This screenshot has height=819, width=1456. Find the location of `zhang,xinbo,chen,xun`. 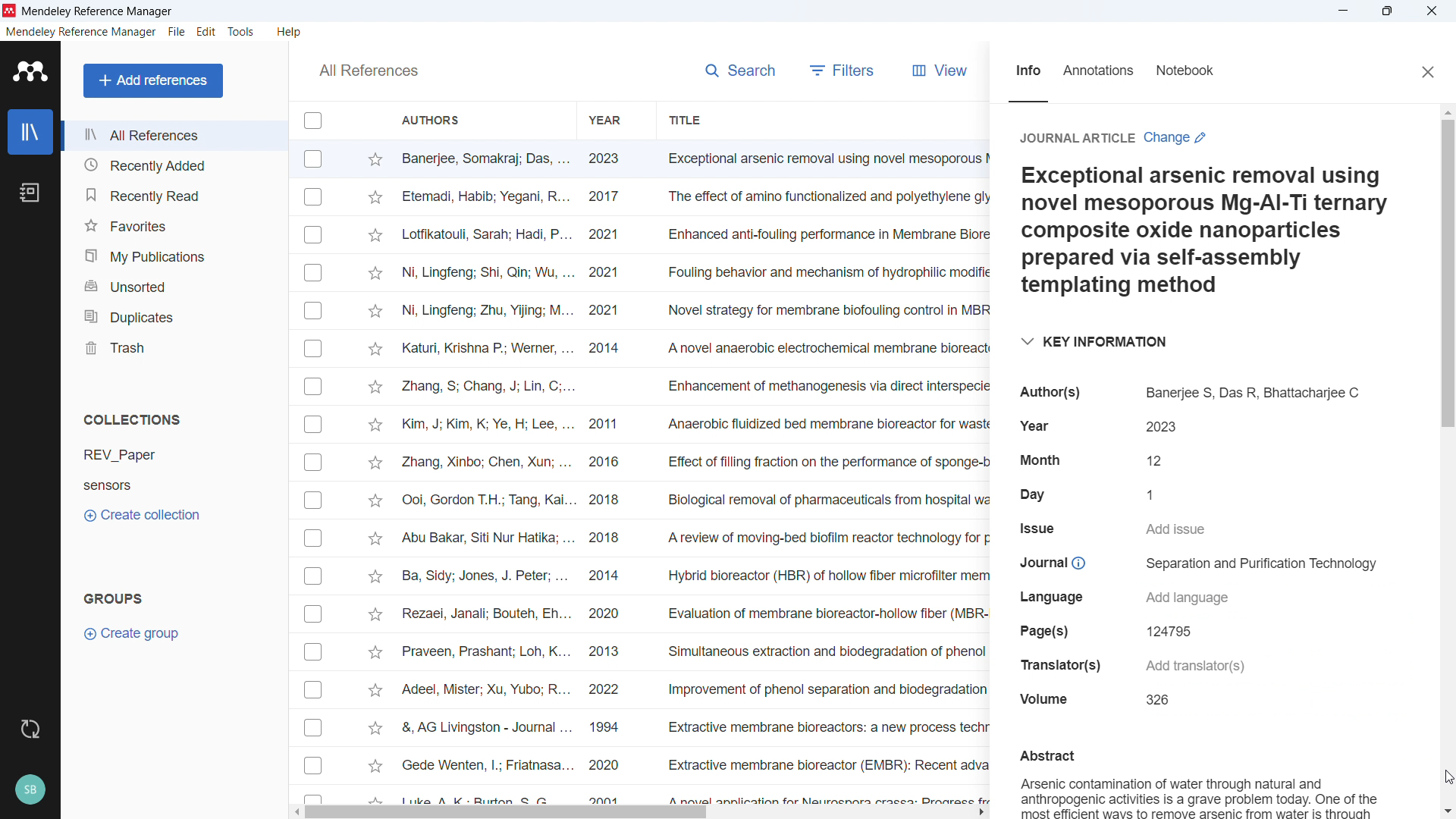

zhang,xinbo,chen,xun is located at coordinates (485, 463).